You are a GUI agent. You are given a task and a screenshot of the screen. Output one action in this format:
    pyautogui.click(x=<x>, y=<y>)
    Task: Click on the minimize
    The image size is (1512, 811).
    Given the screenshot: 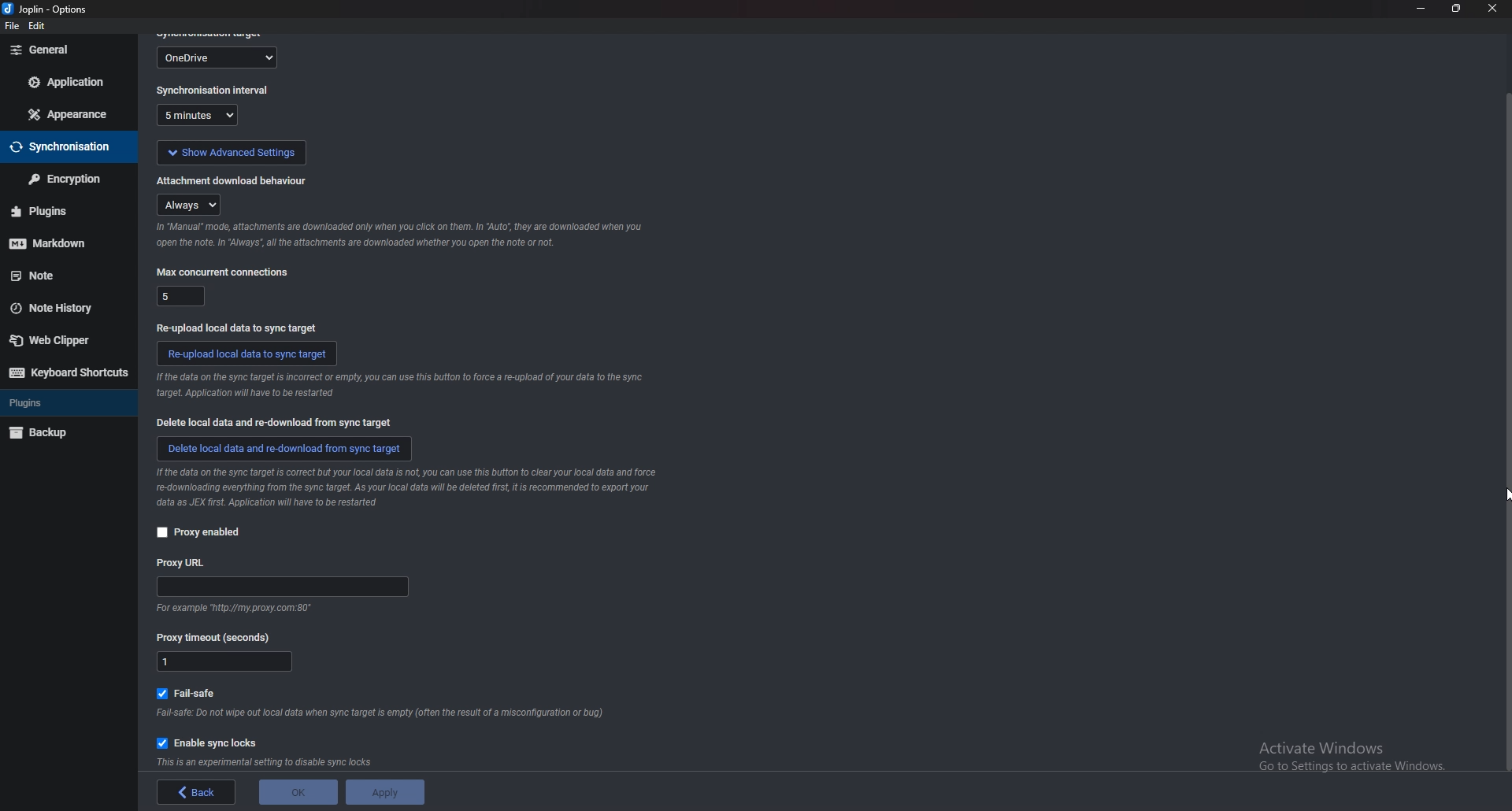 What is the action you would take?
    pyautogui.click(x=1420, y=9)
    